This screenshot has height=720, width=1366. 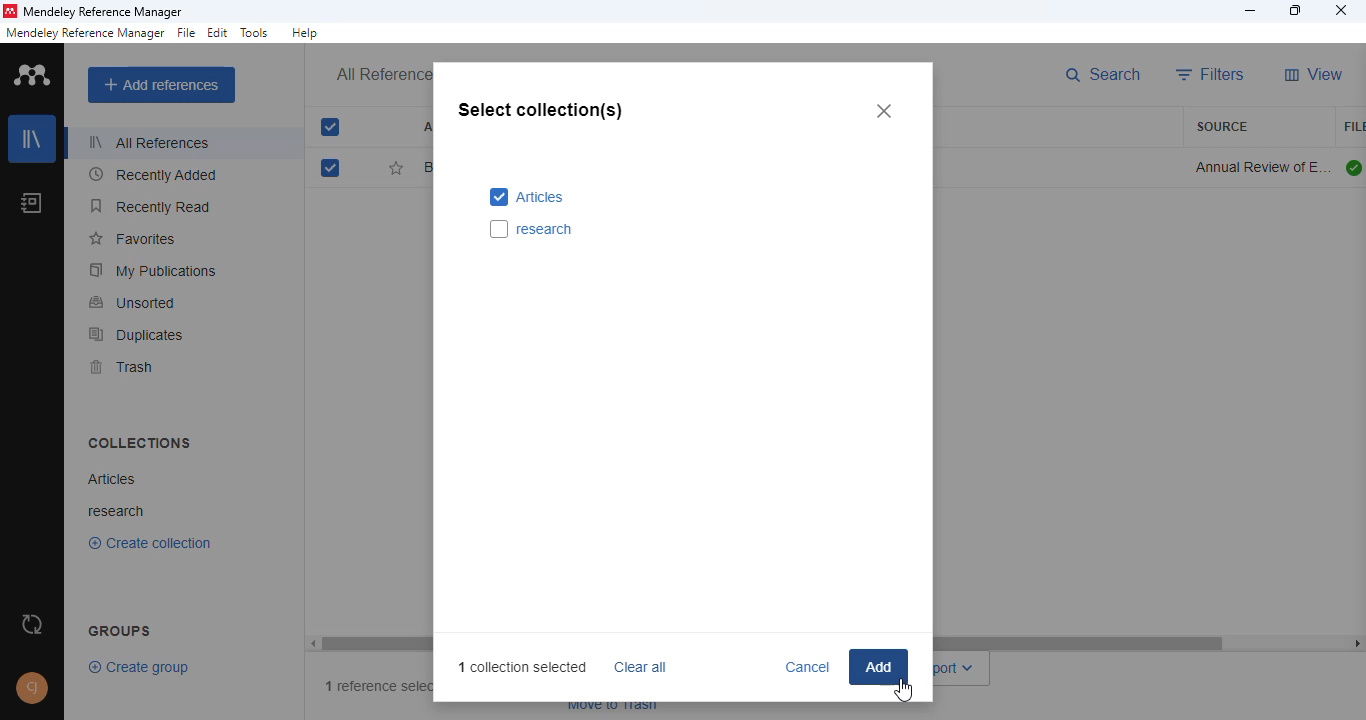 I want to click on tolls, so click(x=256, y=33).